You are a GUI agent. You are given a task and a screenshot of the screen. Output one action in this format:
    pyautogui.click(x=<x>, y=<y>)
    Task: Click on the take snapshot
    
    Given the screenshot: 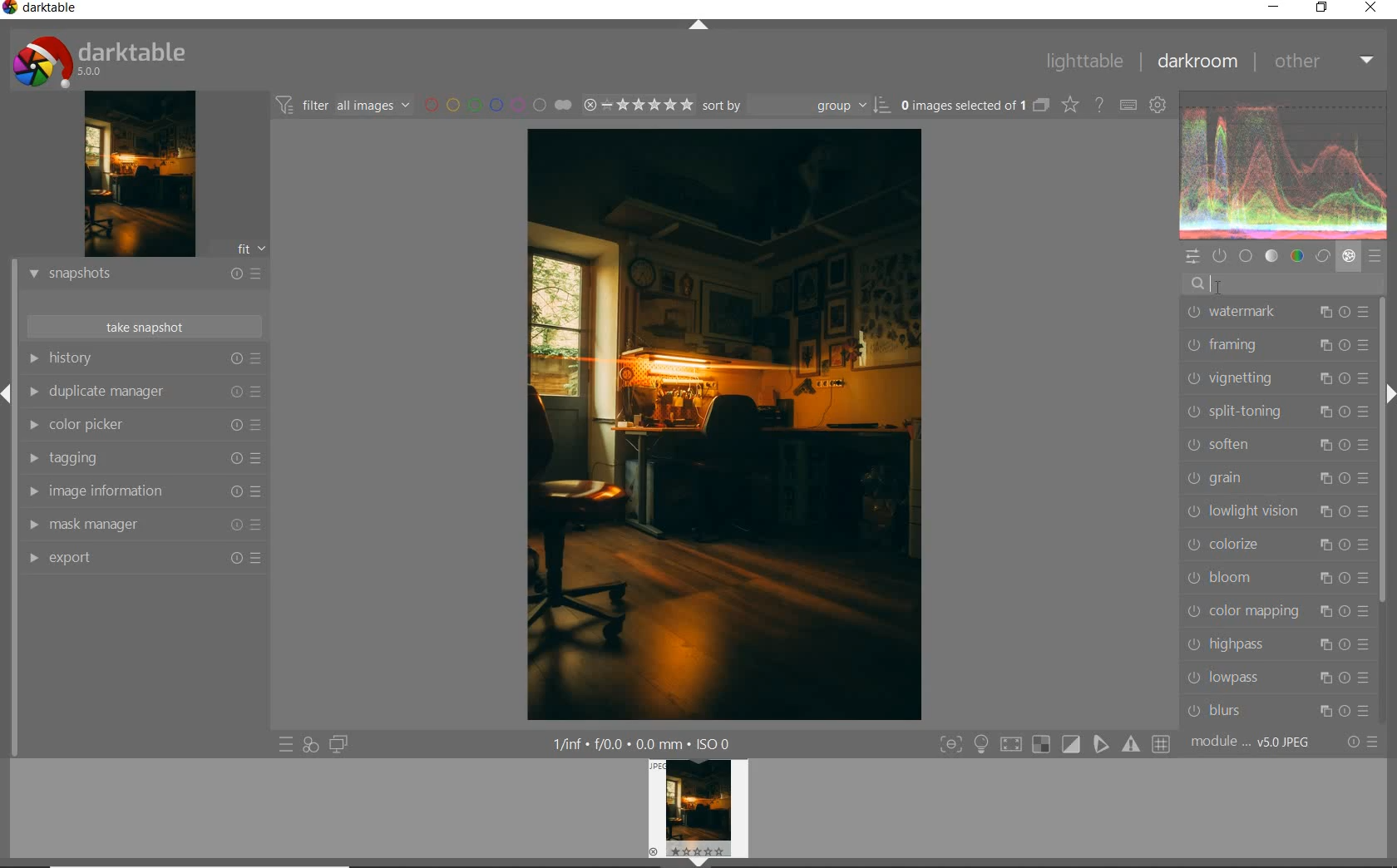 What is the action you would take?
    pyautogui.click(x=146, y=326)
    